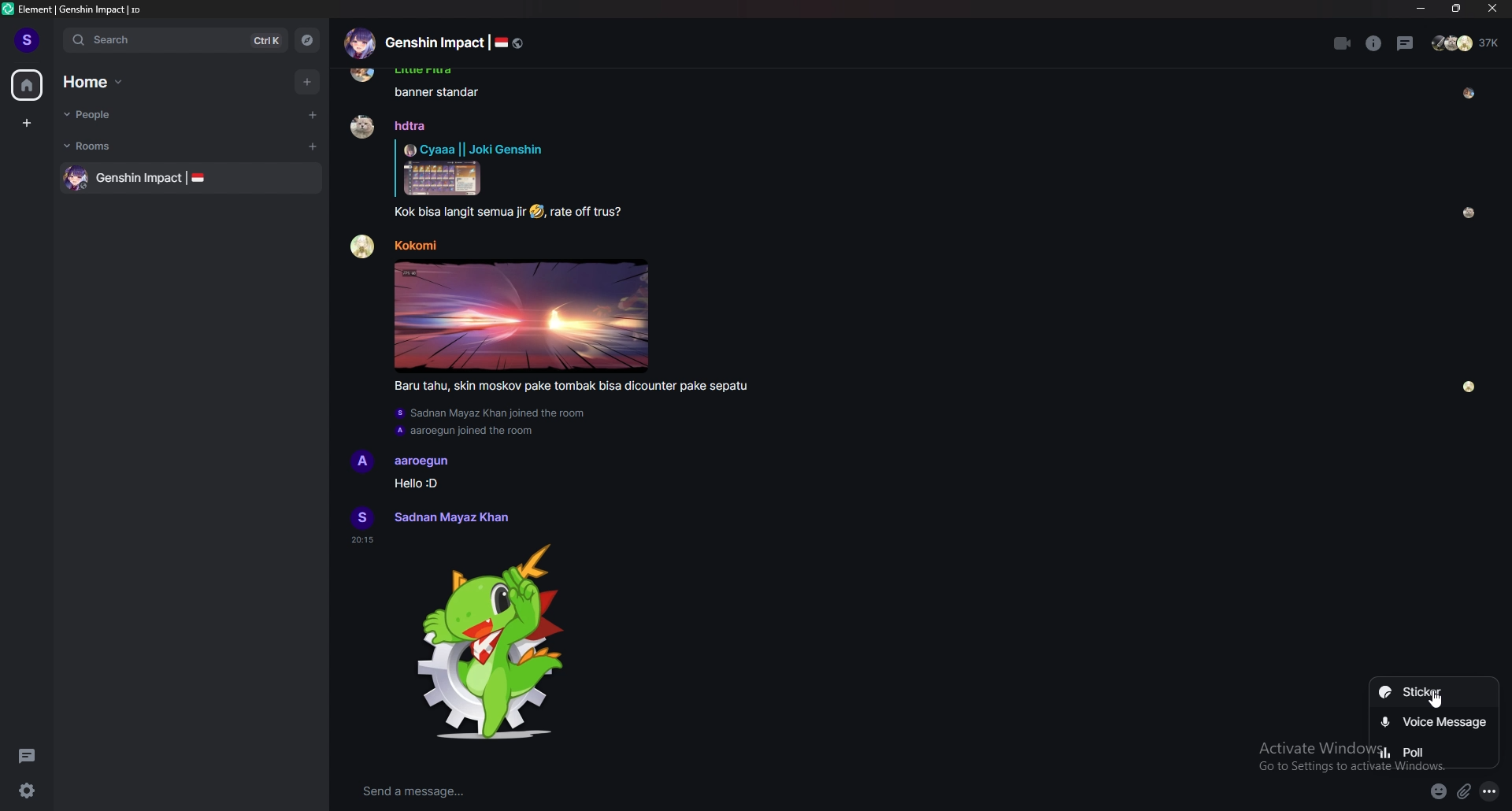 The width and height of the screenshot is (1512, 811). What do you see at coordinates (1435, 699) in the screenshot?
I see `cursor` at bounding box center [1435, 699].